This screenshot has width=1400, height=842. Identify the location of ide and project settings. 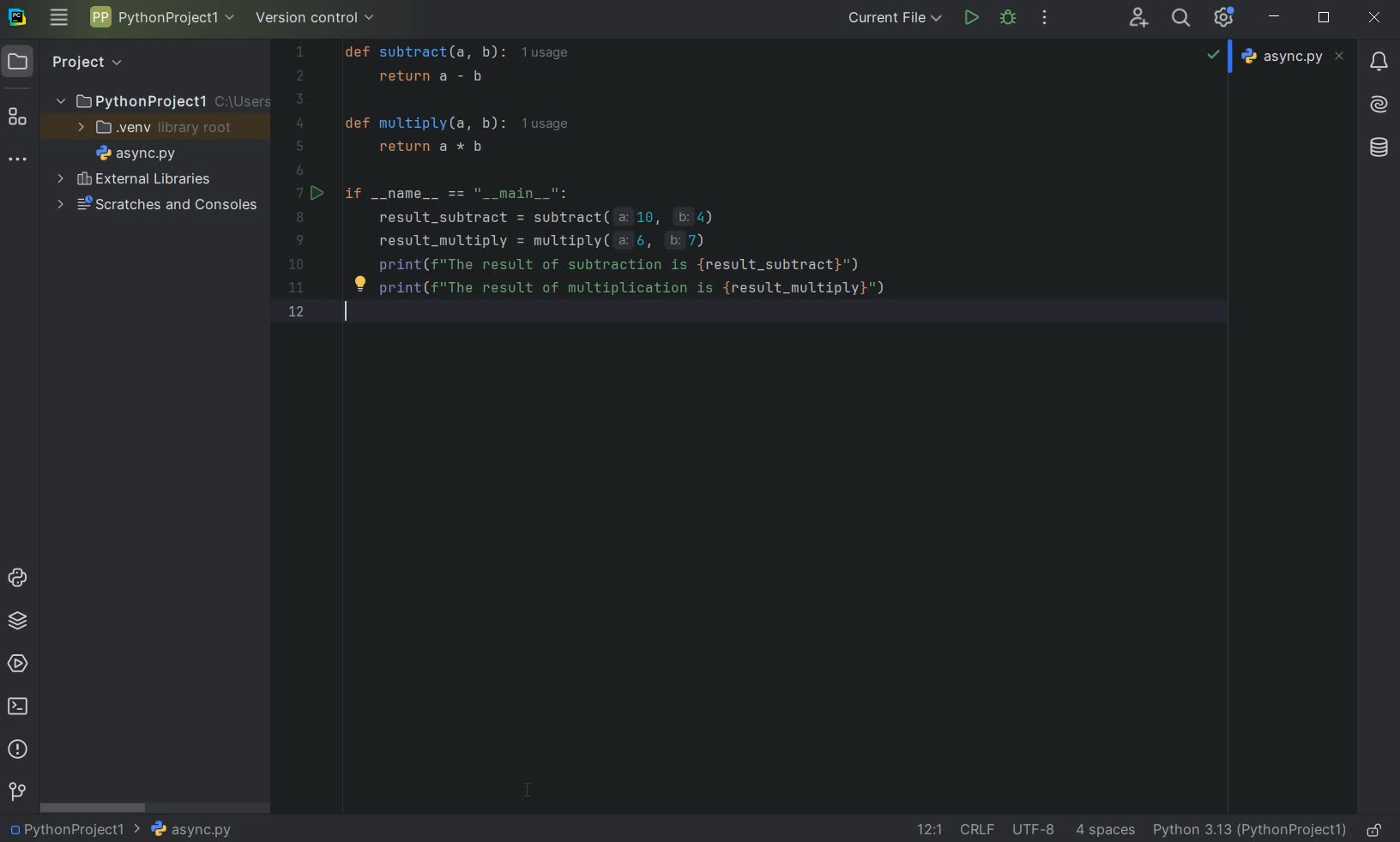
(1225, 17).